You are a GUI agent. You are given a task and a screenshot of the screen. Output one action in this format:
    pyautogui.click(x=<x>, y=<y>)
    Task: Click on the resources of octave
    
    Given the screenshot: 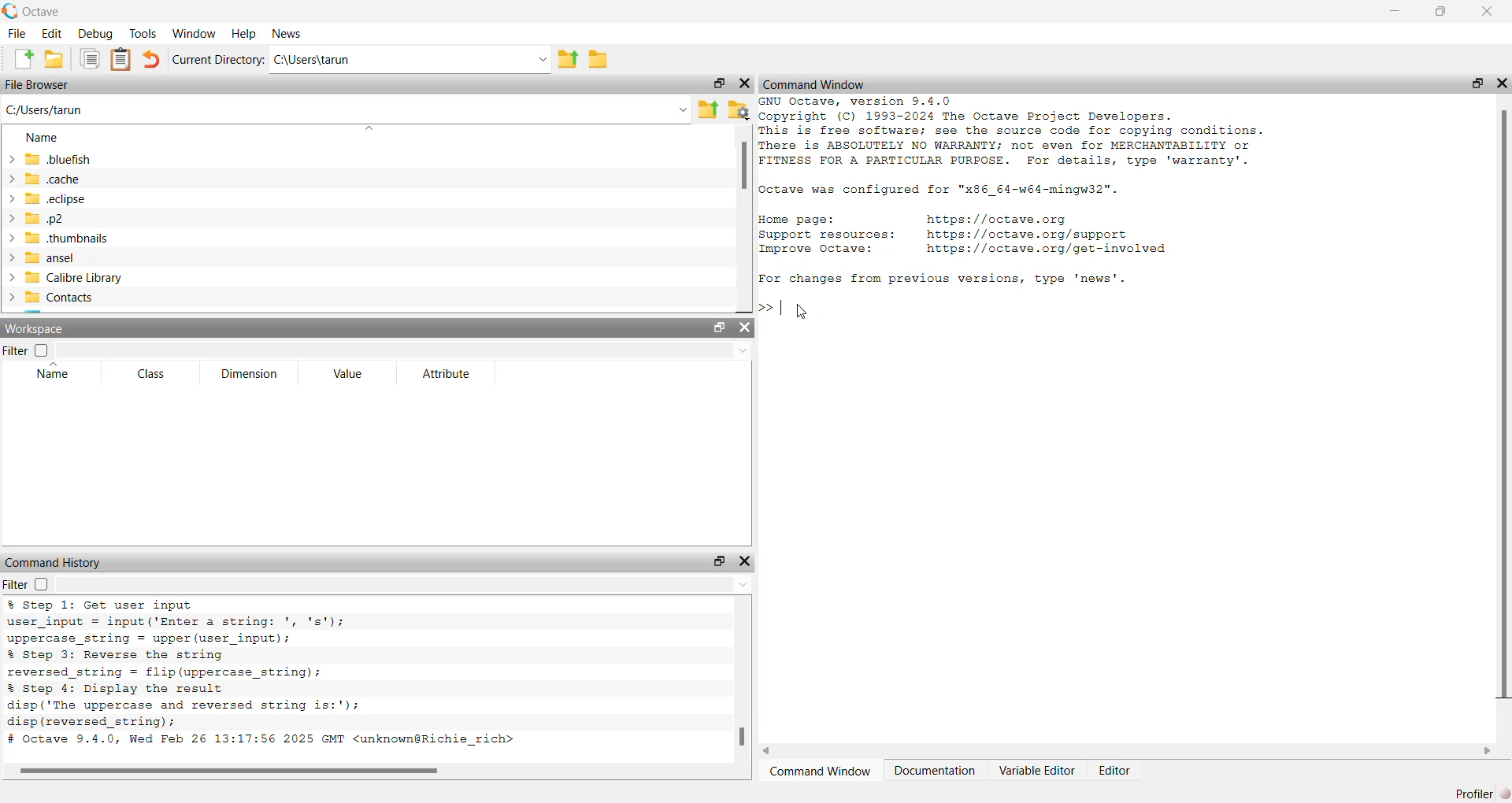 What is the action you would take?
    pyautogui.click(x=985, y=231)
    